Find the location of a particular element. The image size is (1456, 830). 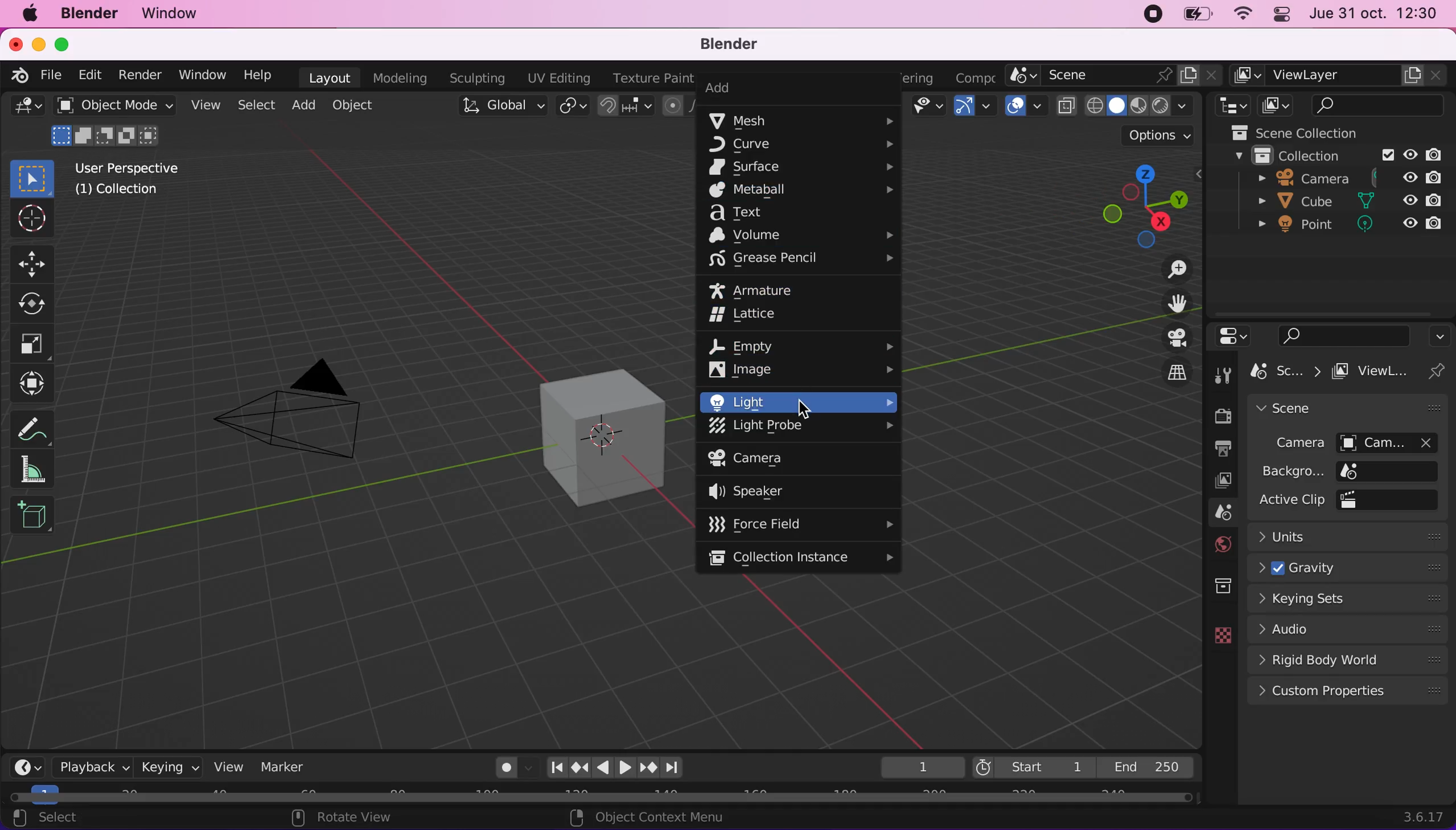

Jump to keyframe is located at coordinates (650, 768).